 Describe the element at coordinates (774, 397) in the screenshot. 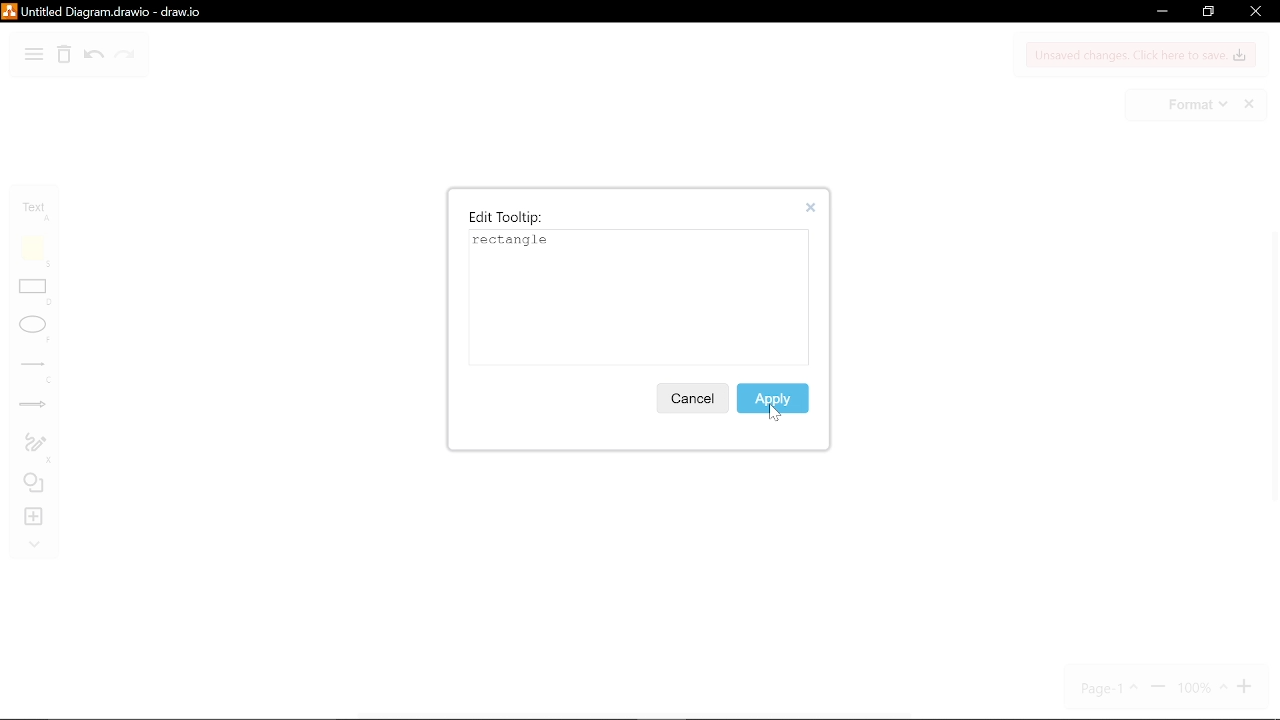

I see `apply` at that location.